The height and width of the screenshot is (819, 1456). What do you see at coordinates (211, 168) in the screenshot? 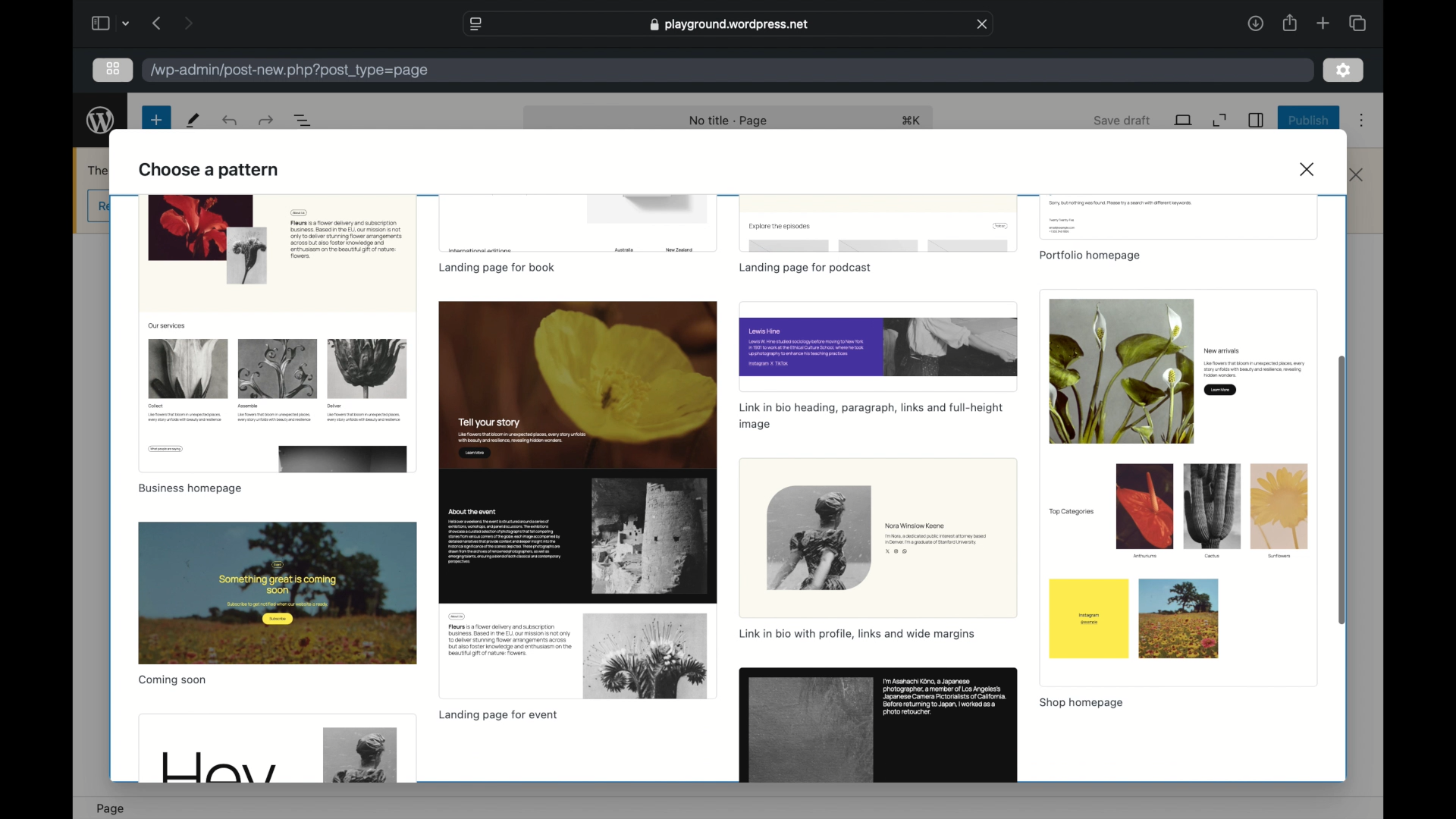
I see `choose a pattern` at bounding box center [211, 168].